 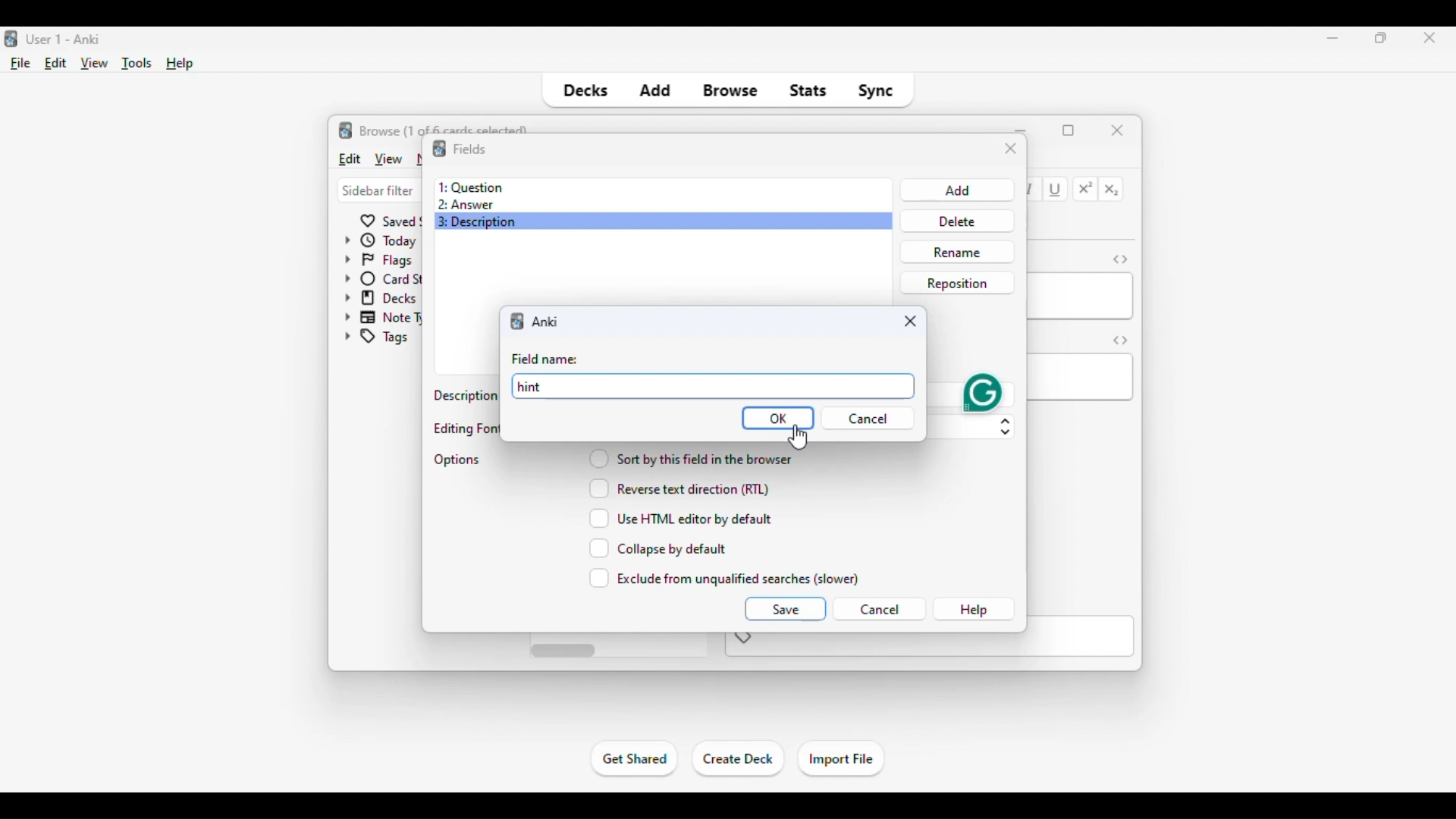 What do you see at coordinates (584, 91) in the screenshot?
I see `decks` at bounding box center [584, 91].